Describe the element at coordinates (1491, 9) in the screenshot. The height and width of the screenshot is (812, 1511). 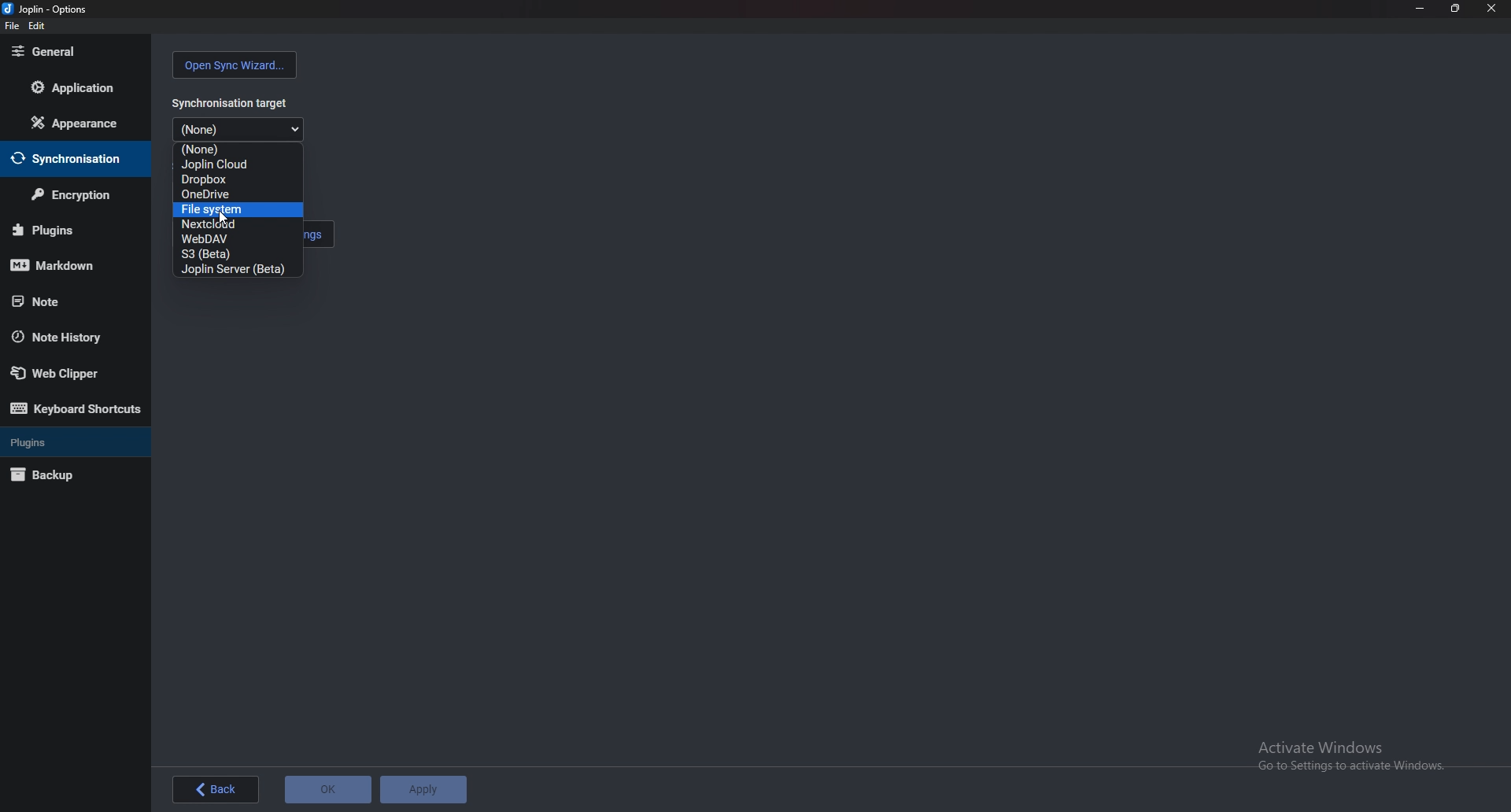
I see `close` at that location.